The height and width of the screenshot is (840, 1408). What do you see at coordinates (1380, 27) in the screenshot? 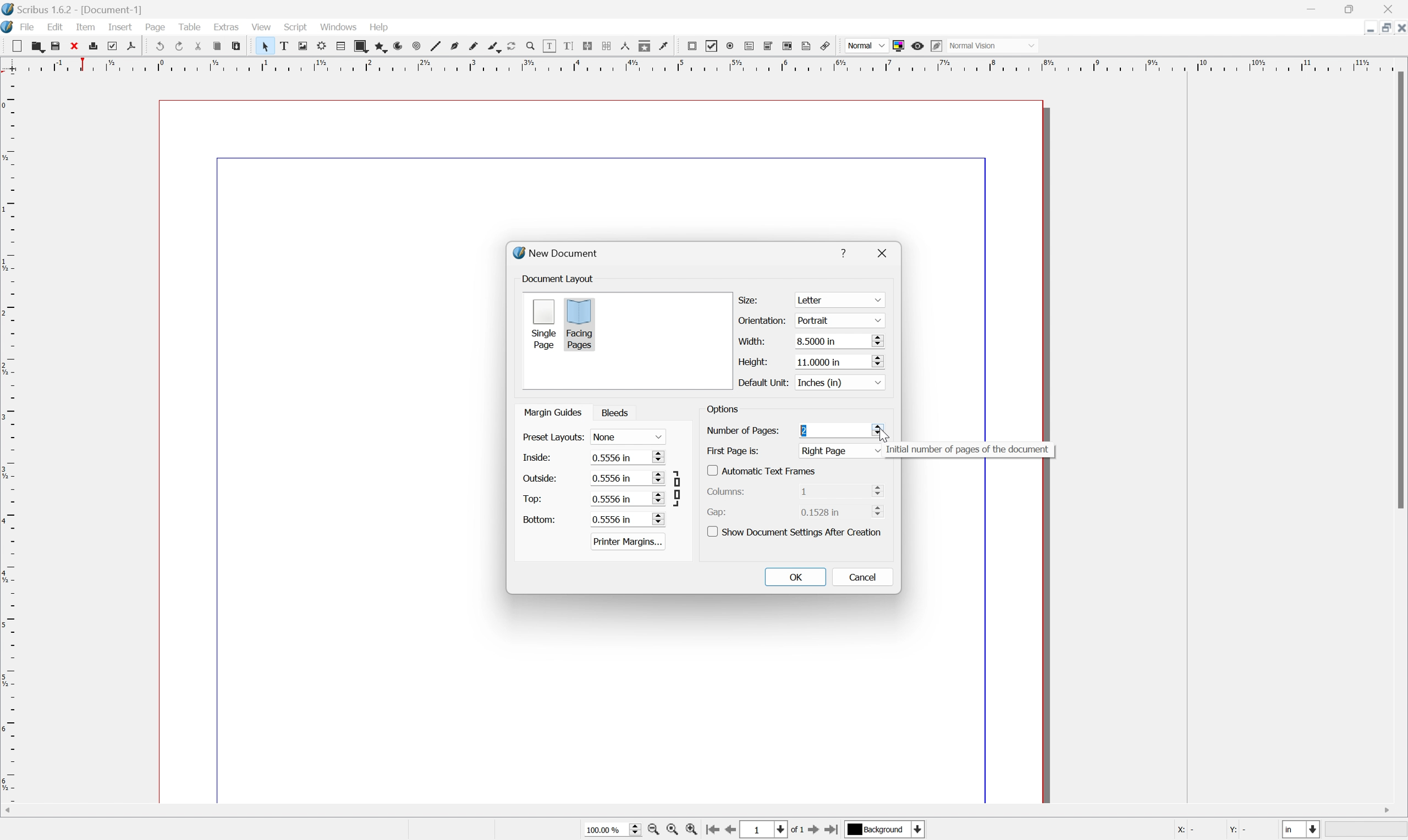
I see `Restore down` at bounding box center [1380, 27].